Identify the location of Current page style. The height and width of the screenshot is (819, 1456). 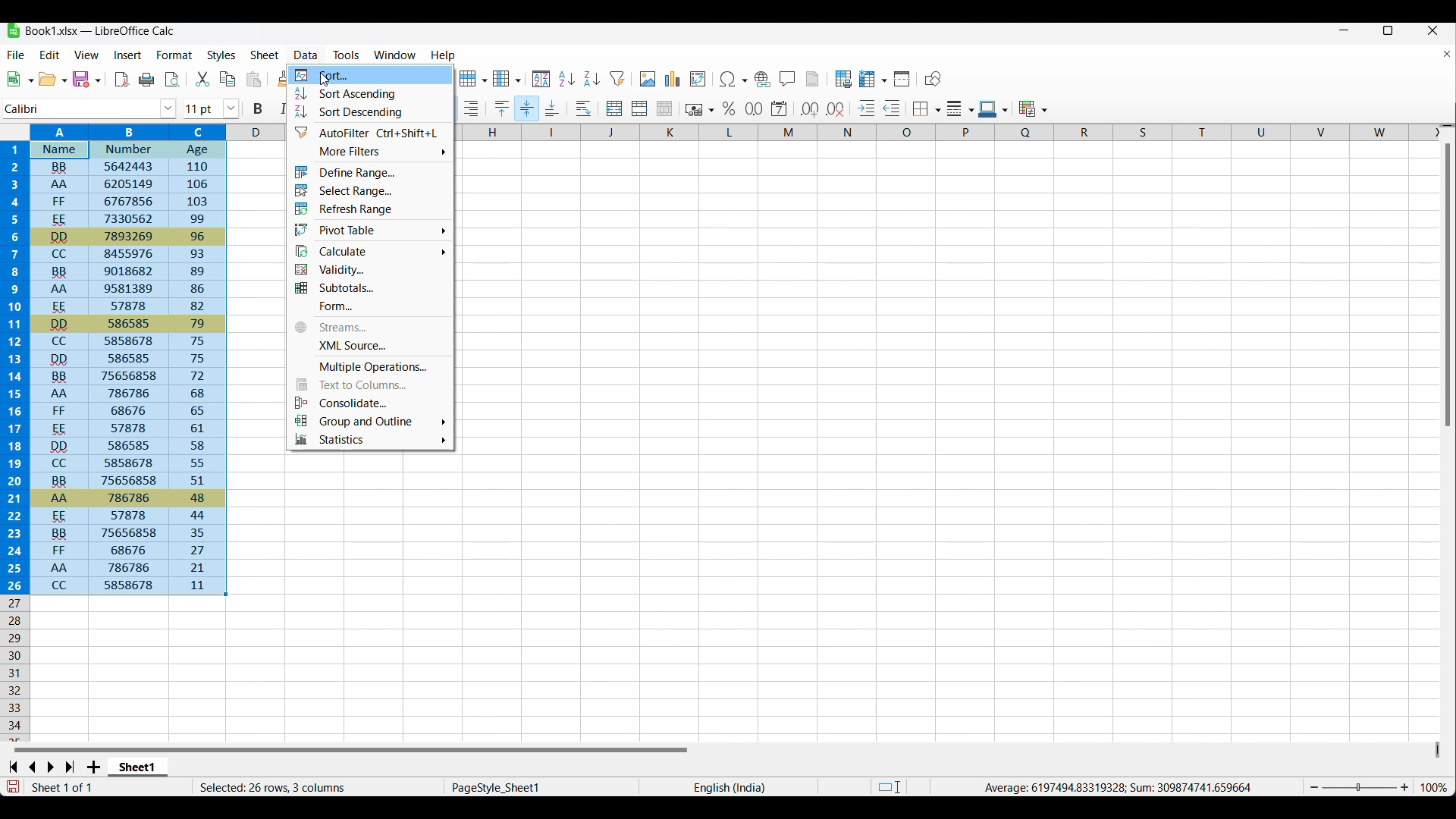
(540, 787).